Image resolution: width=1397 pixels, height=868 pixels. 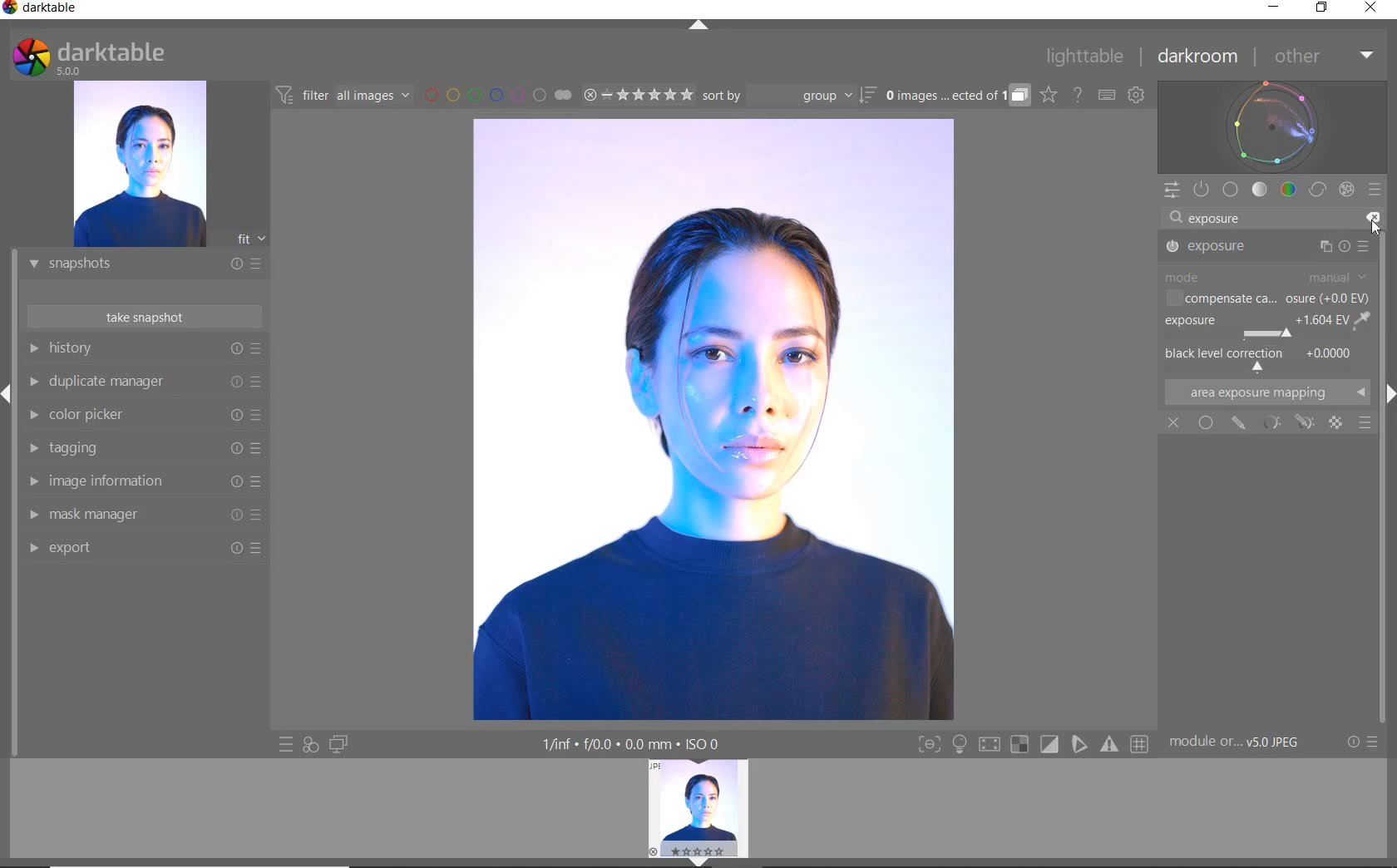 I want to click on TAGGING, so click(x=141, y=449).